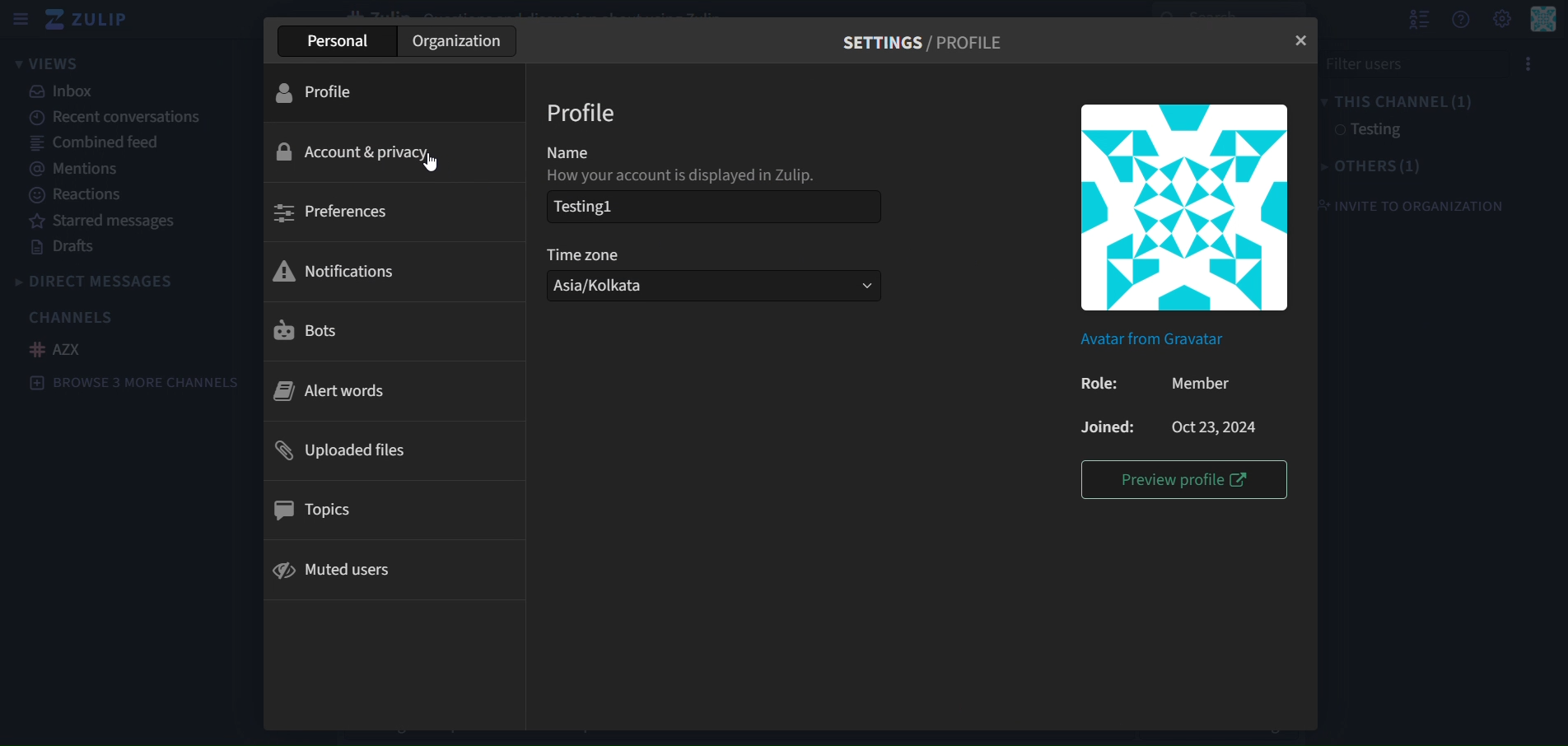 This screenshot has width=1568, height=746. What do you see at coordinates (122, 118) in the screenshot?
I see `recent conversation` at bounding box center [122, 118].